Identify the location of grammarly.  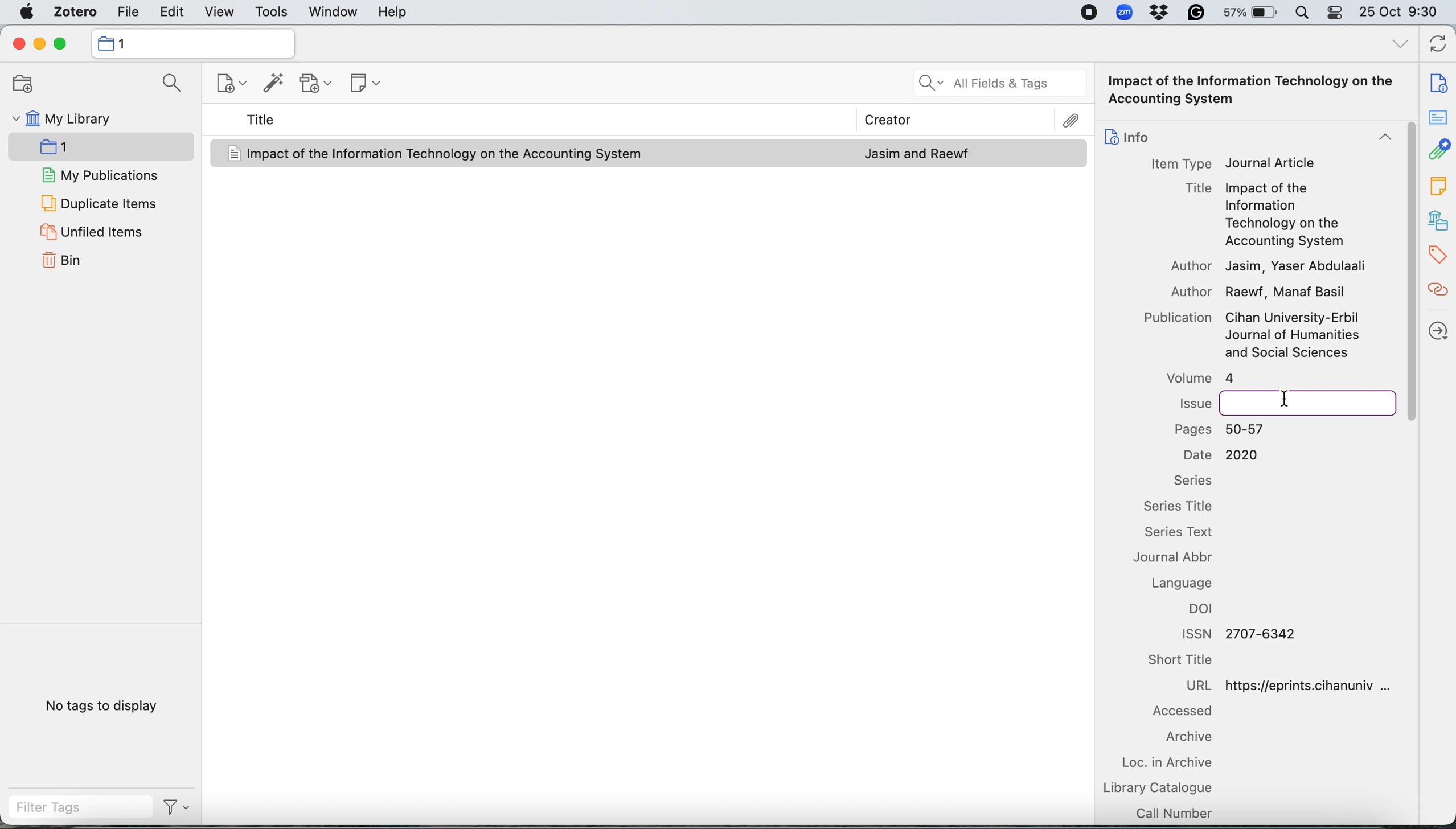
(1199, 14).